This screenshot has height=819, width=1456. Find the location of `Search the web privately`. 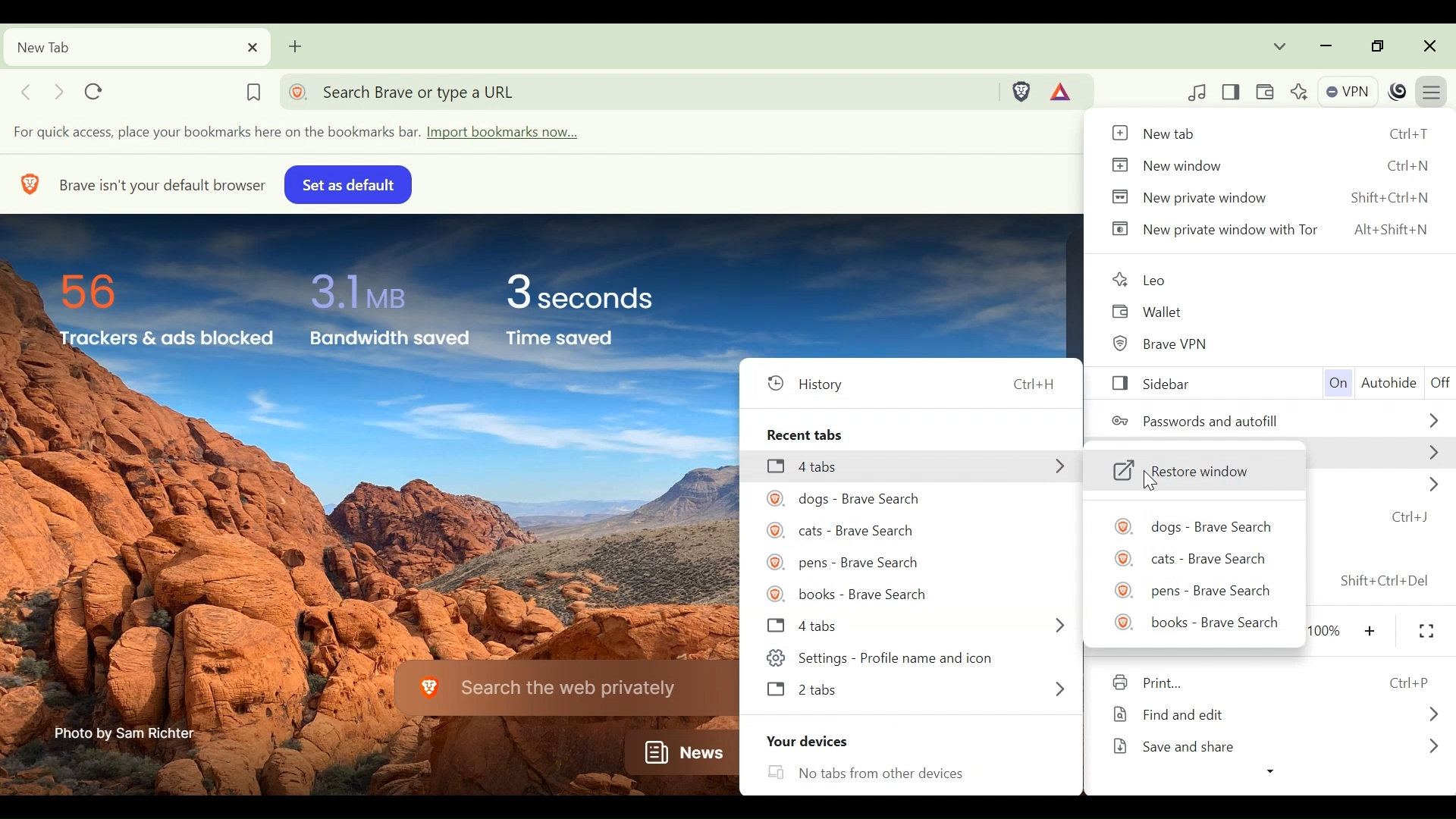

Search the web privately is located at coordinates (543, 689).